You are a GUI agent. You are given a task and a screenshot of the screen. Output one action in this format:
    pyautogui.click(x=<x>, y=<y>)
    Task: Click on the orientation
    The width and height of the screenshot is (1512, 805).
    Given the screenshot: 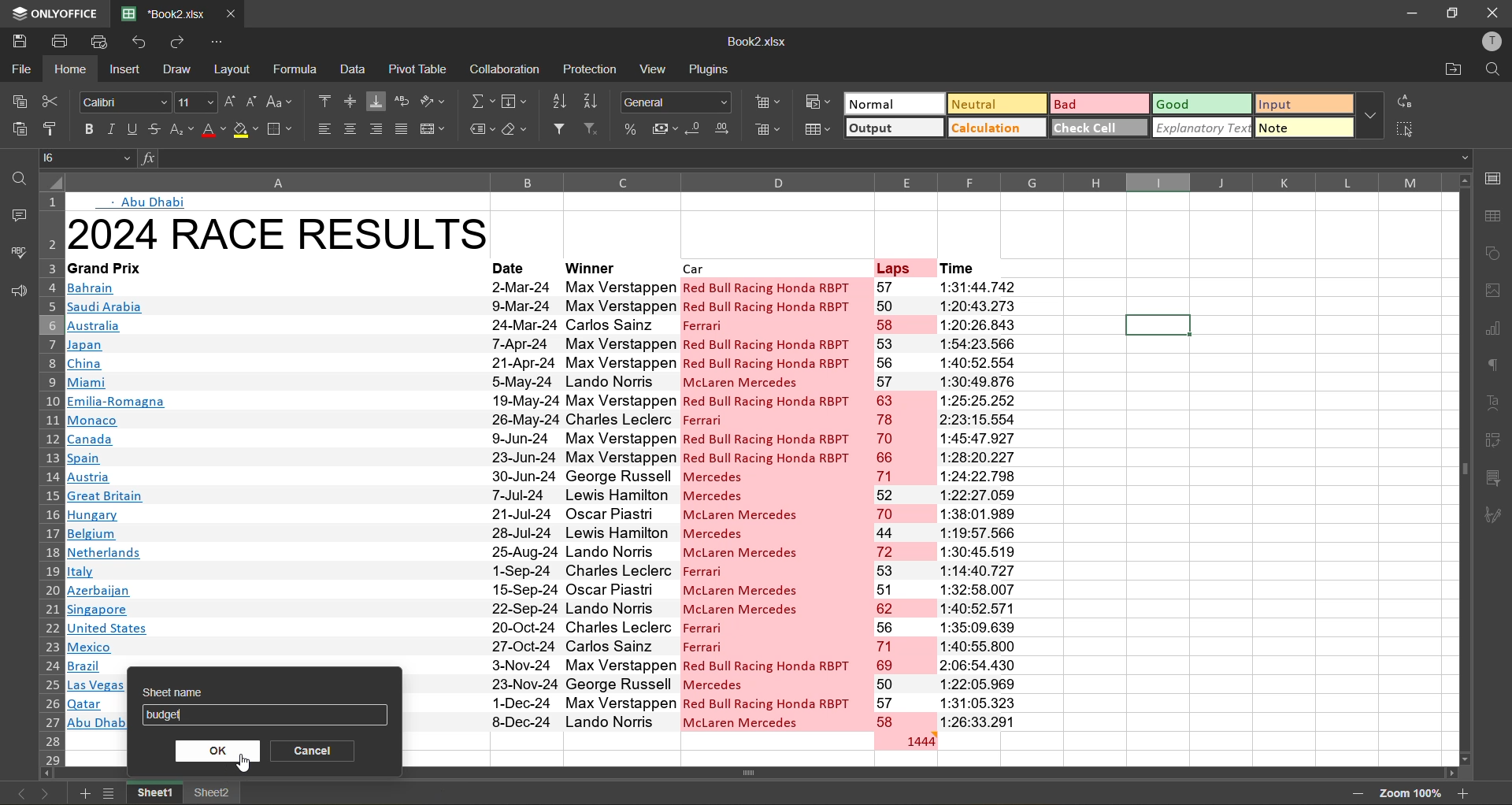 What is the action you would take?
    pyautogui.click(x=435, y=104)
    